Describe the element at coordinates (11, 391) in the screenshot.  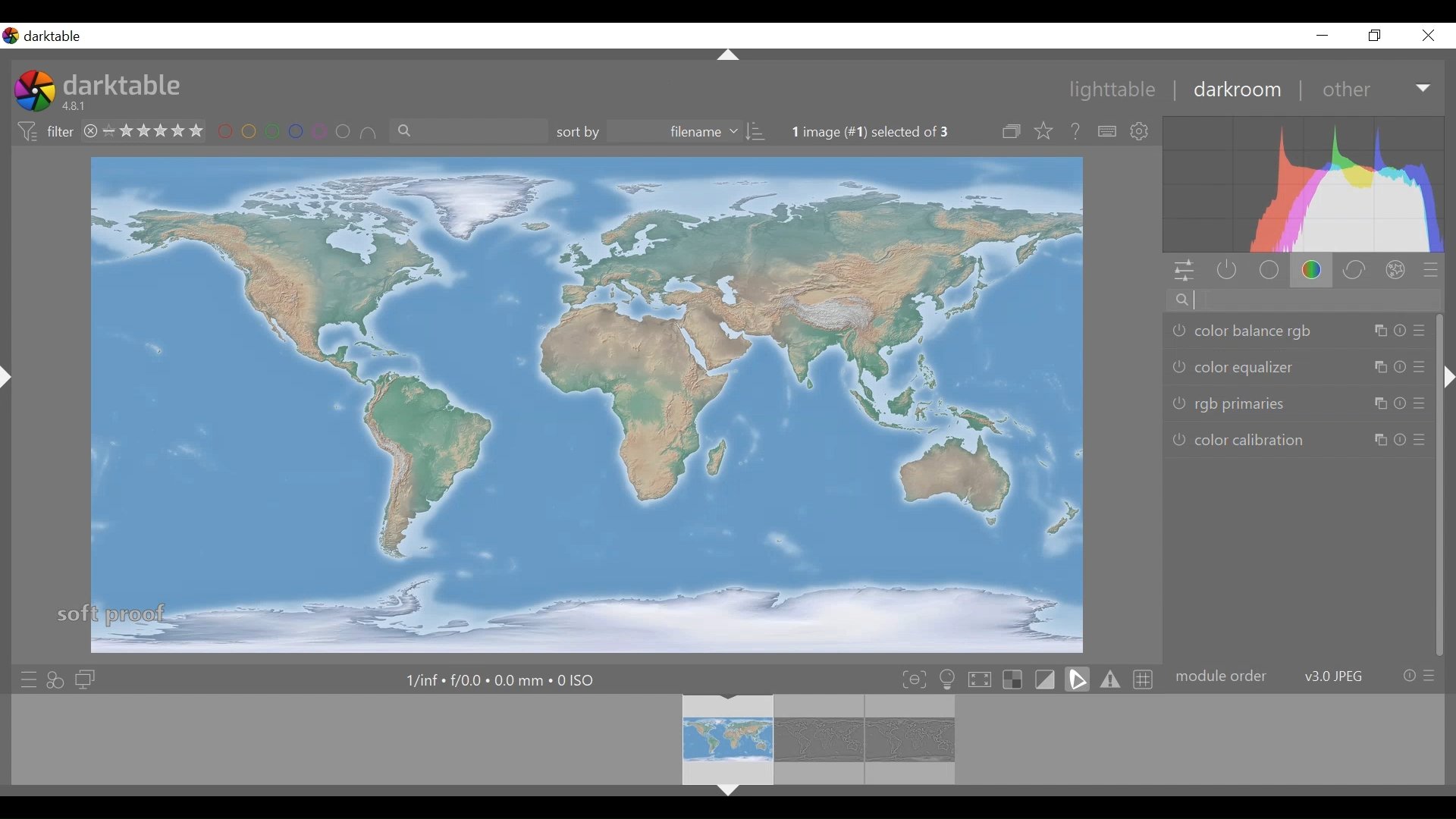
I see `` at that location.